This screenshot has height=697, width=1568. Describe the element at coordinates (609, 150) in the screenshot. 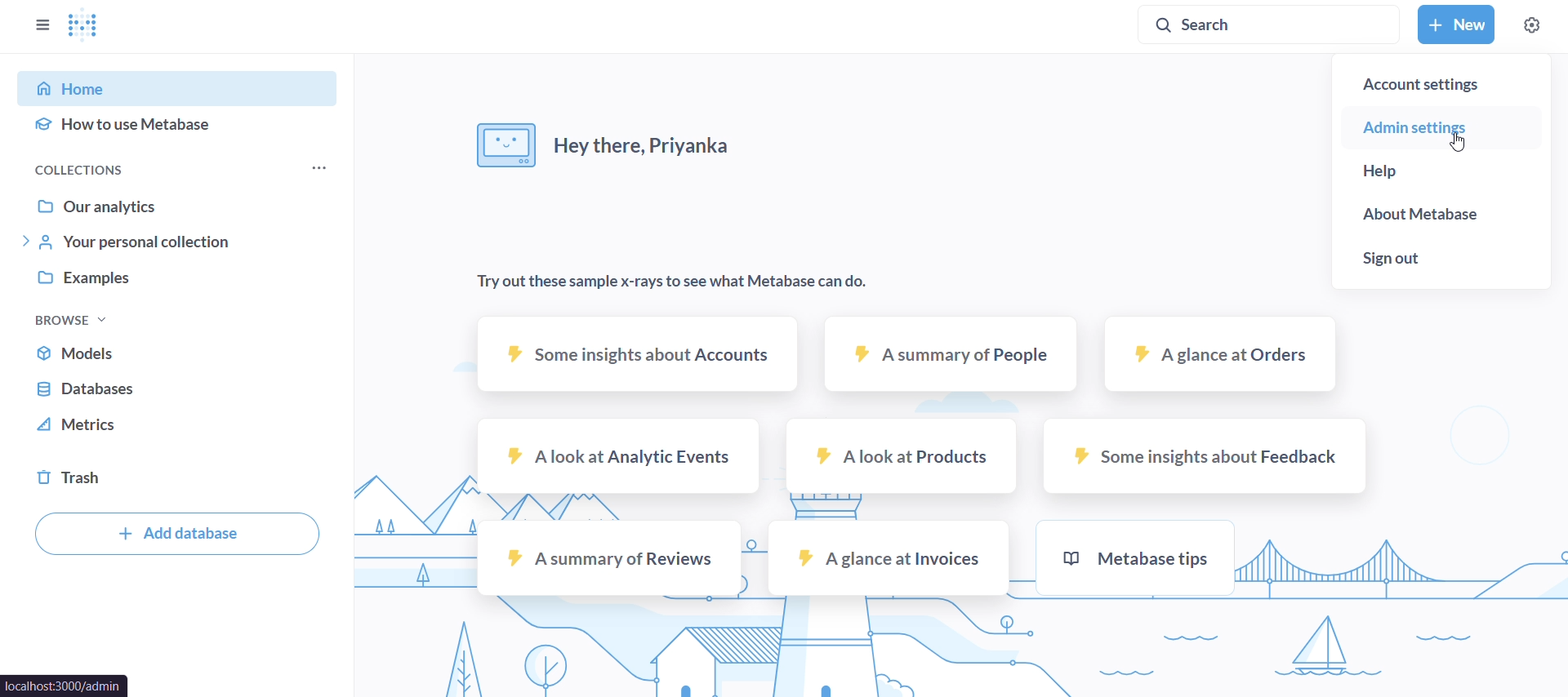

I see `hey there, priyanka` at that location.